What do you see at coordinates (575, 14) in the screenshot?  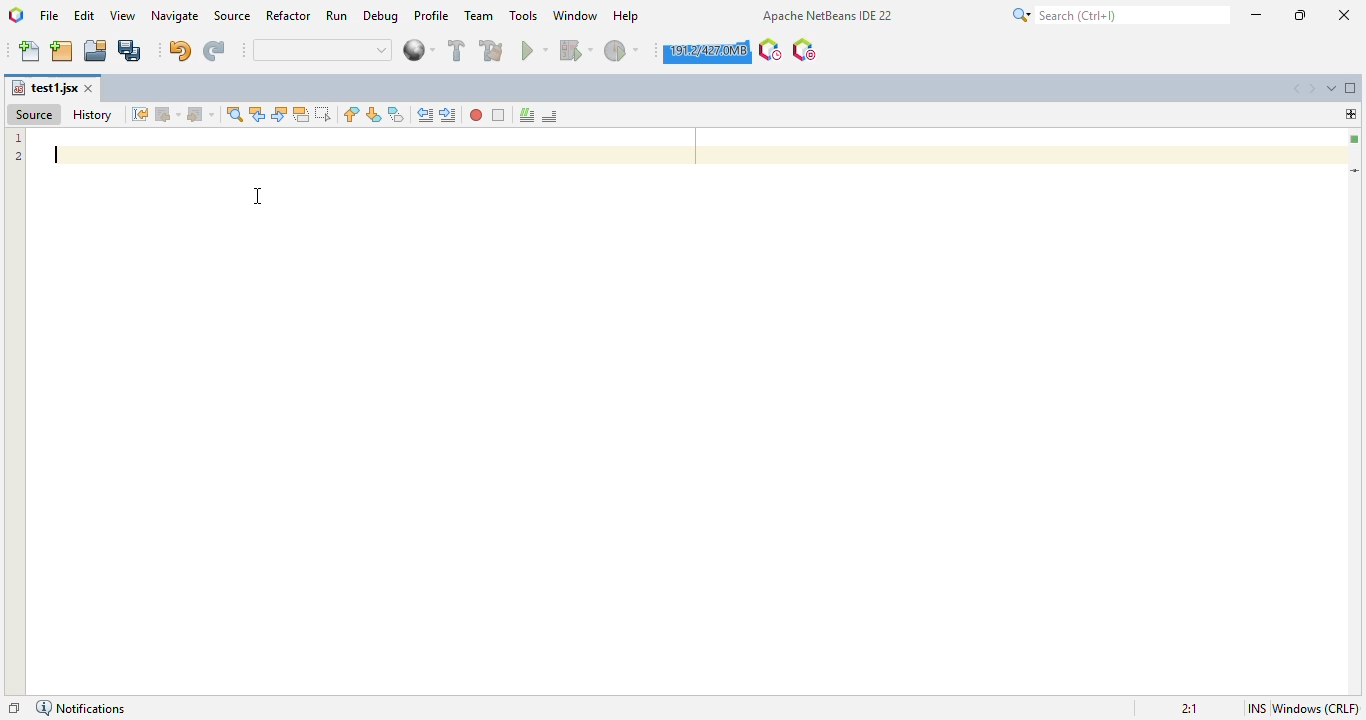 I see `window` at bounding box center [575, 14].